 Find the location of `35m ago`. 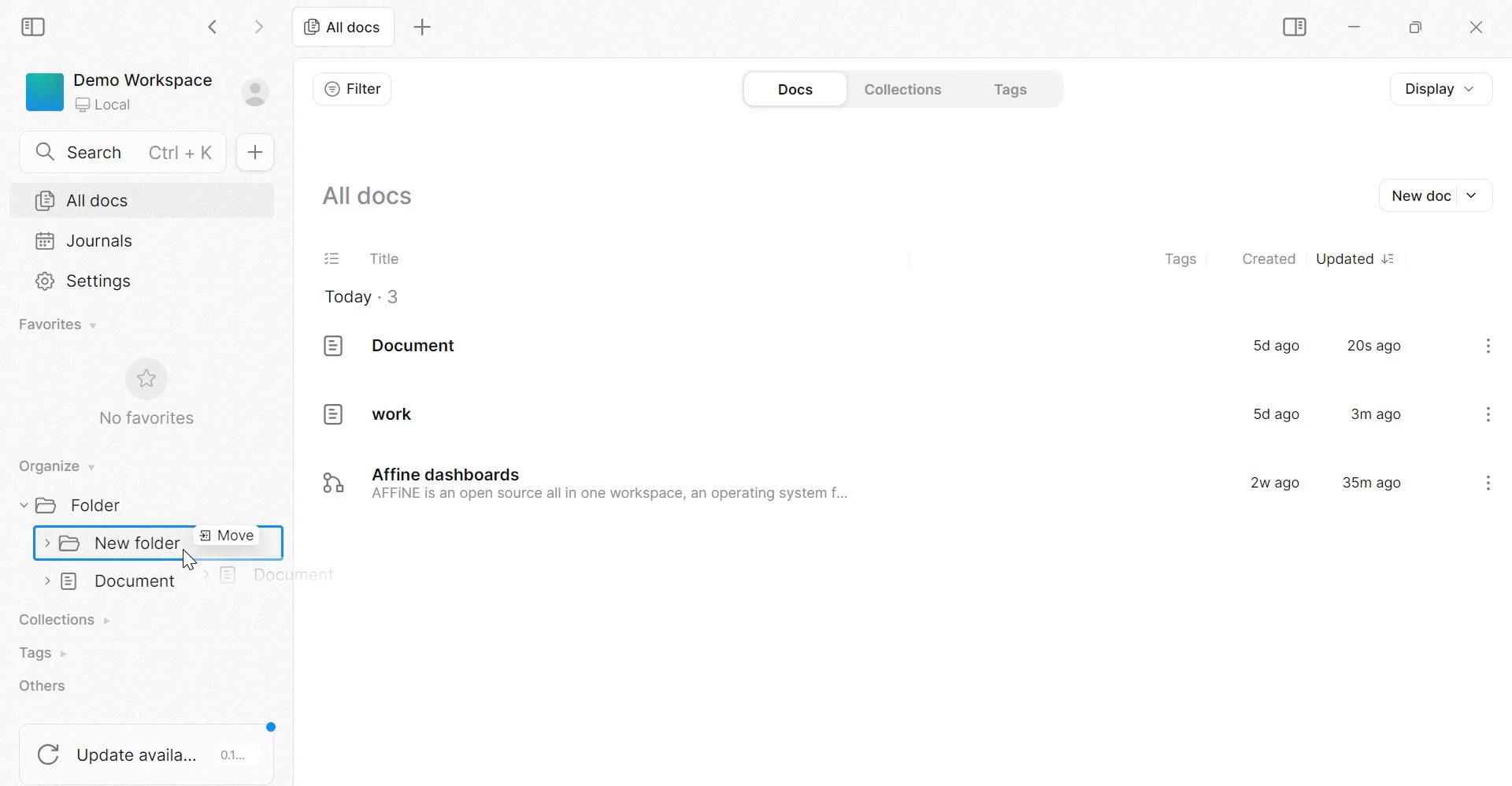

35m ago is located at coordinates (1372, 484).